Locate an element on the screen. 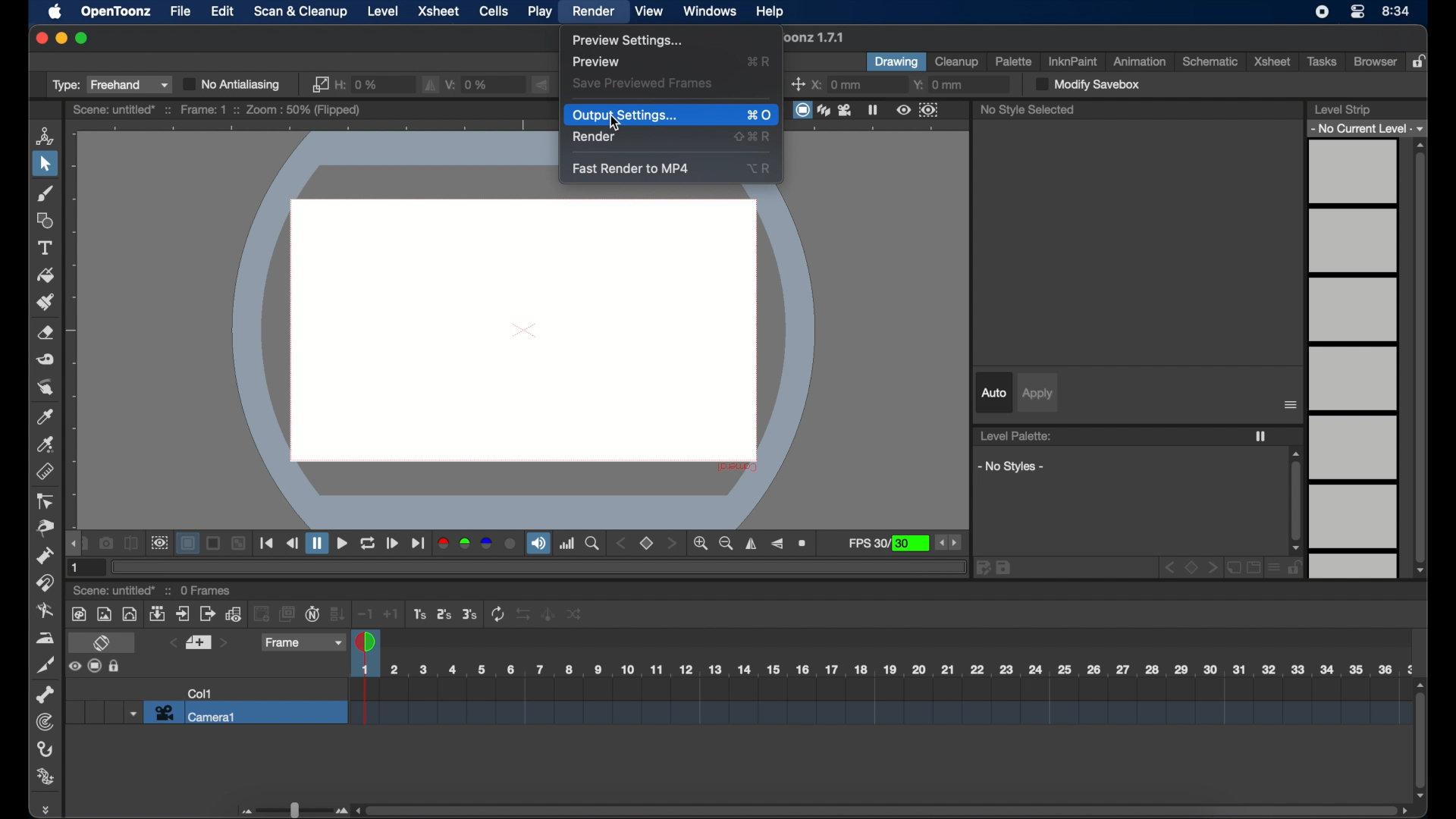 This screenshot has width=1456, height=819. eraser tool is located at coordinates (47, 333).